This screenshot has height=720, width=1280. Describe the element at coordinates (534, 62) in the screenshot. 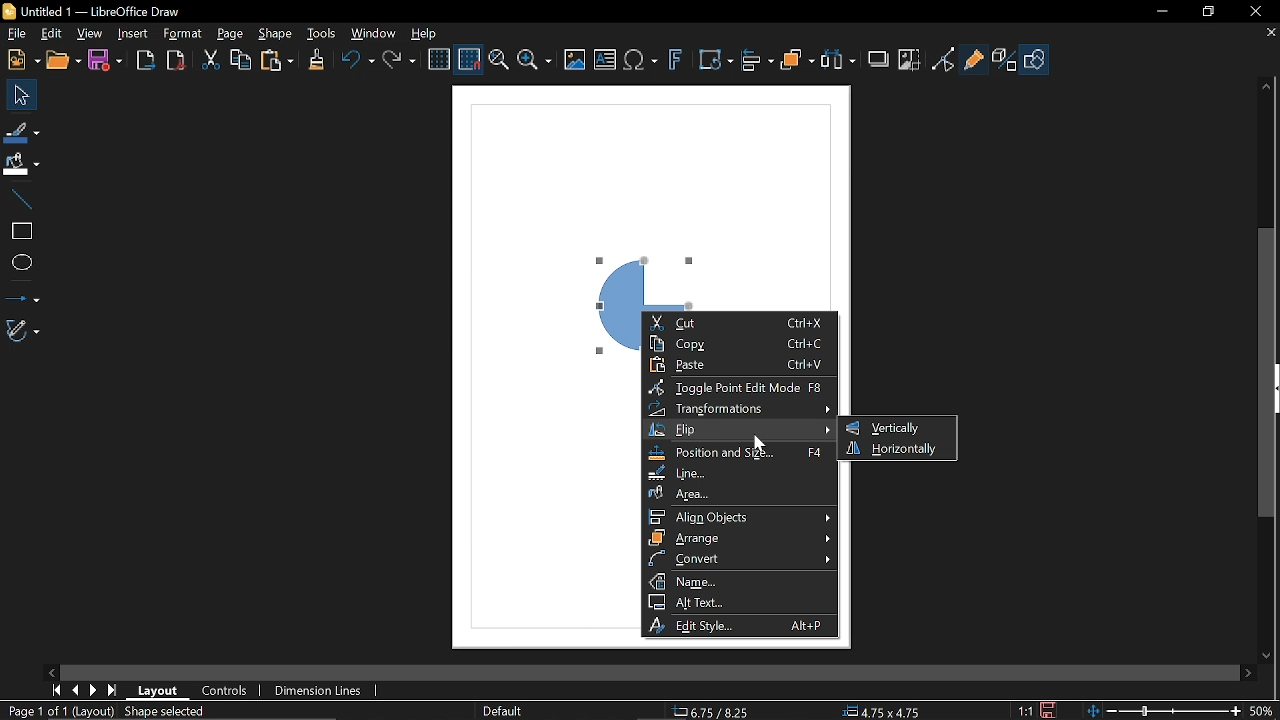

I see `Zoom` at that location.